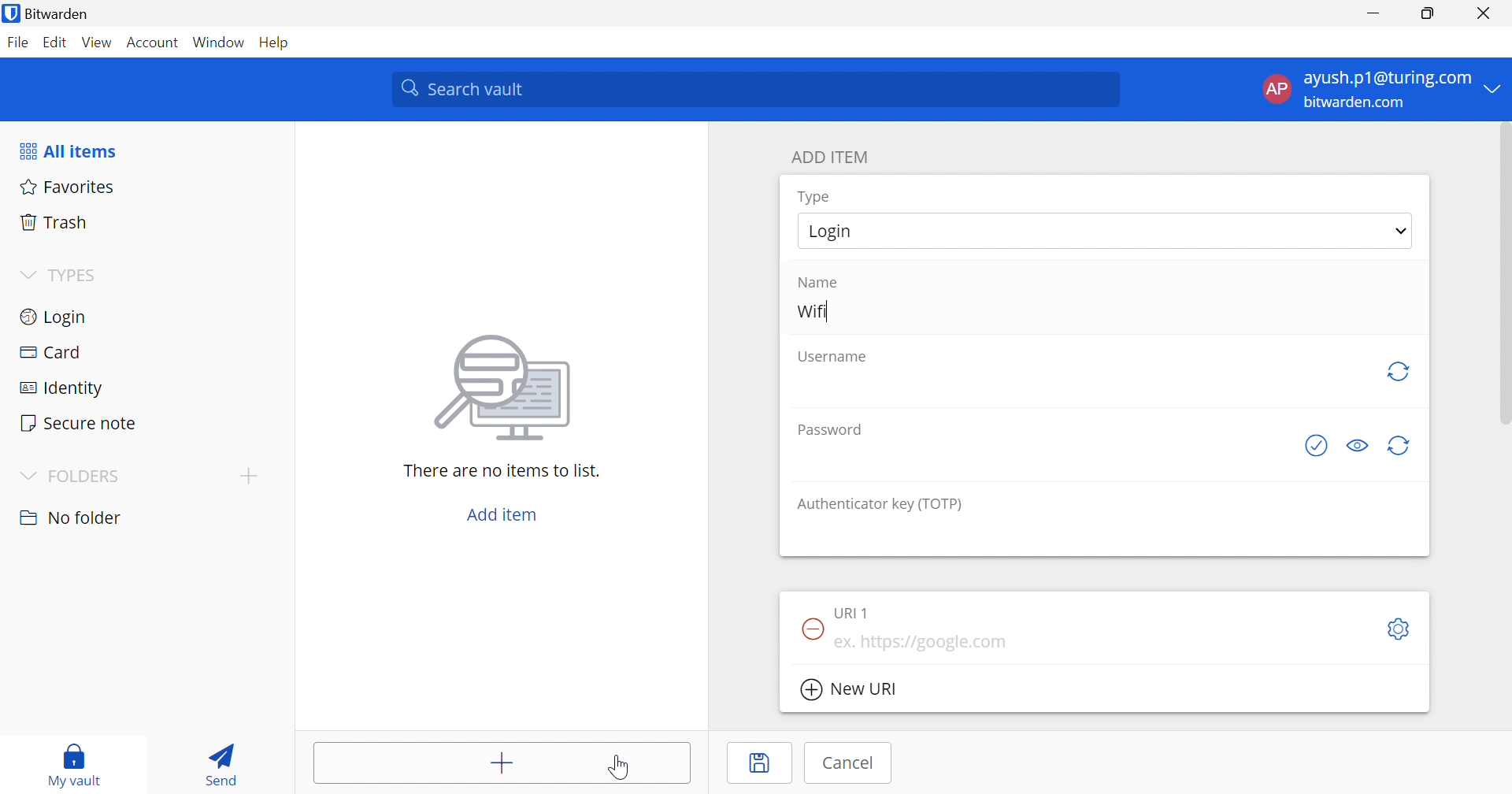 The height and width of the screenshot is (794, 1512). Describe the element at coordinates (835, 429) in the screenshot. I see `Password` at that location.